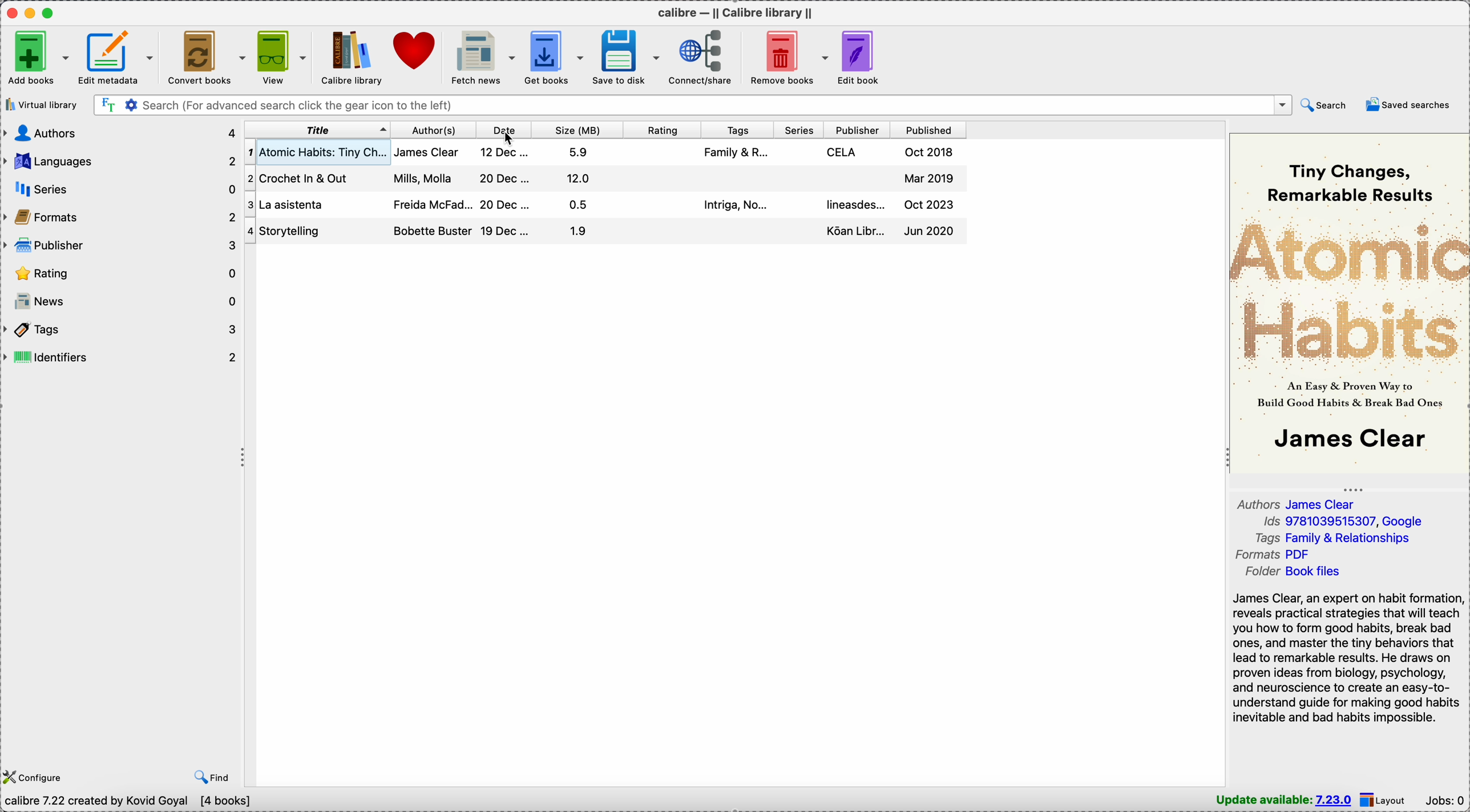  What do you see at coordinates (1269, 554) in the screenshot?
I see `formats PDF` at bounding box center [1269, 554].